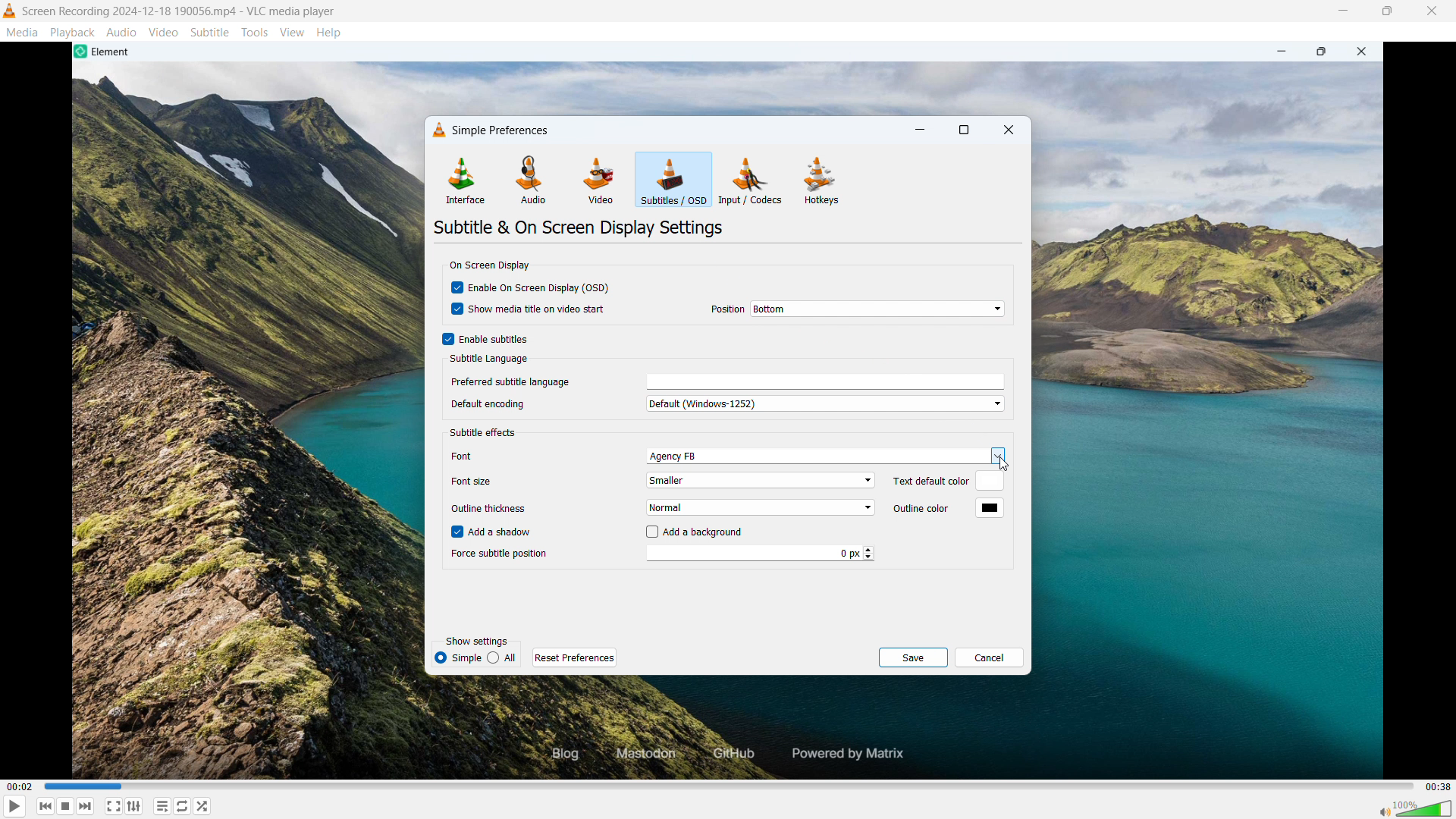  Describe the element at coordinates (752, 180) in the screenshot. I see `inputs/codecs` at that location.